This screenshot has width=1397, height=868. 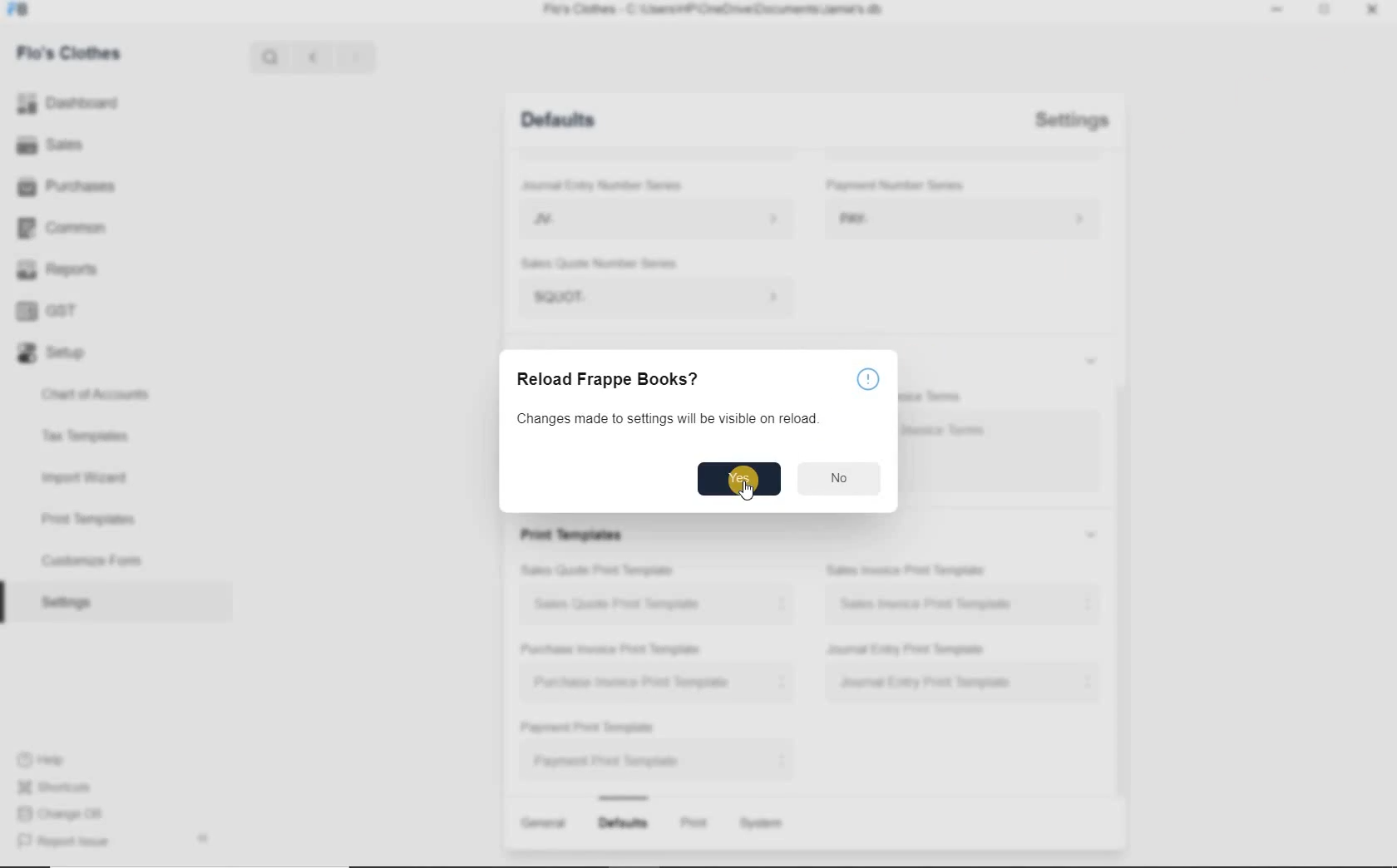 What do you see at coordinates (697, 824) in the screenshot?
I see `Print` at bounding box center [697, 824].